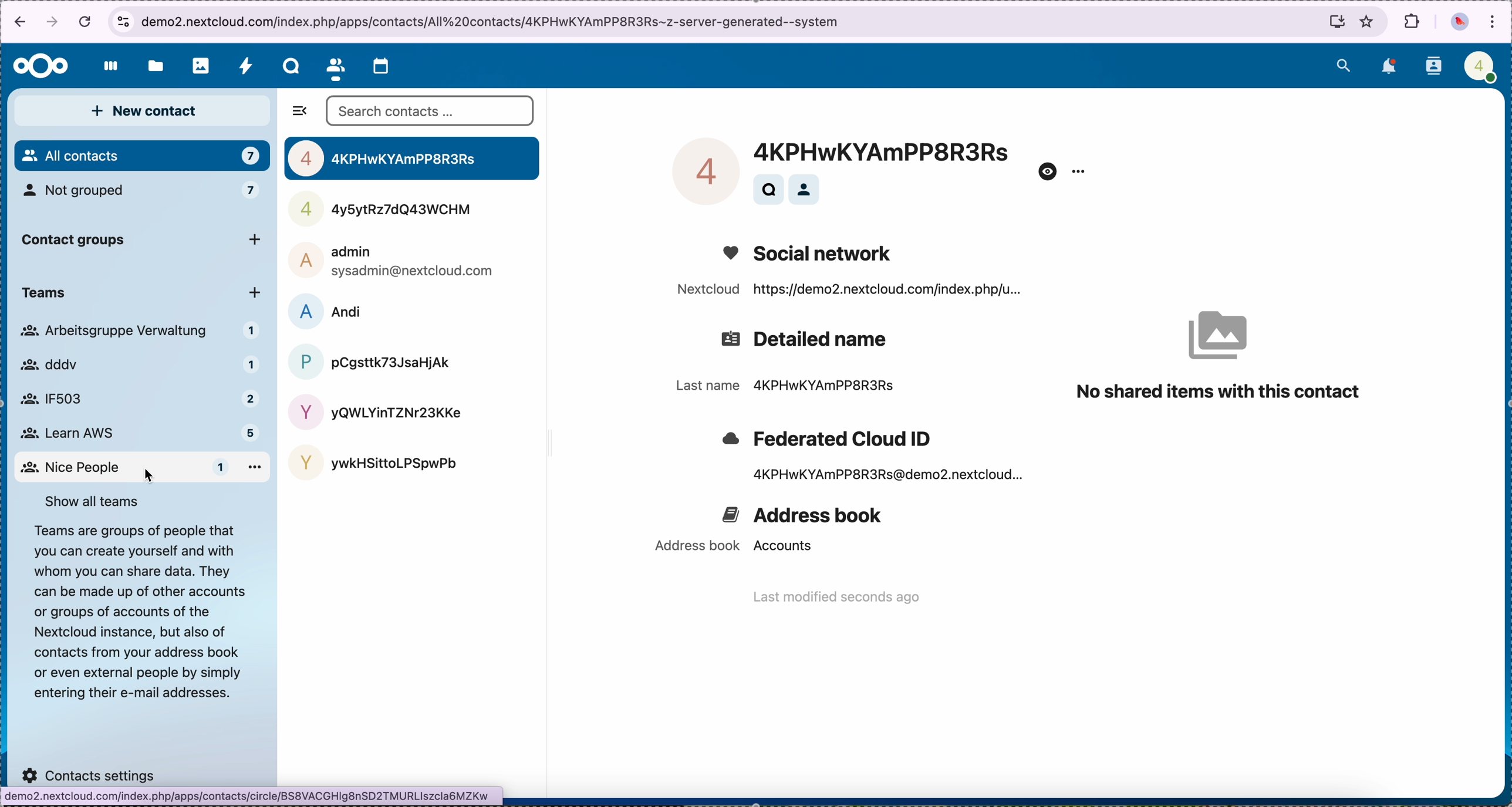 The image size is (1512, 807). What do you see at coordinates (1079, 173) in the screenshot?
I see `more options` at bounding box center [1079, 173].